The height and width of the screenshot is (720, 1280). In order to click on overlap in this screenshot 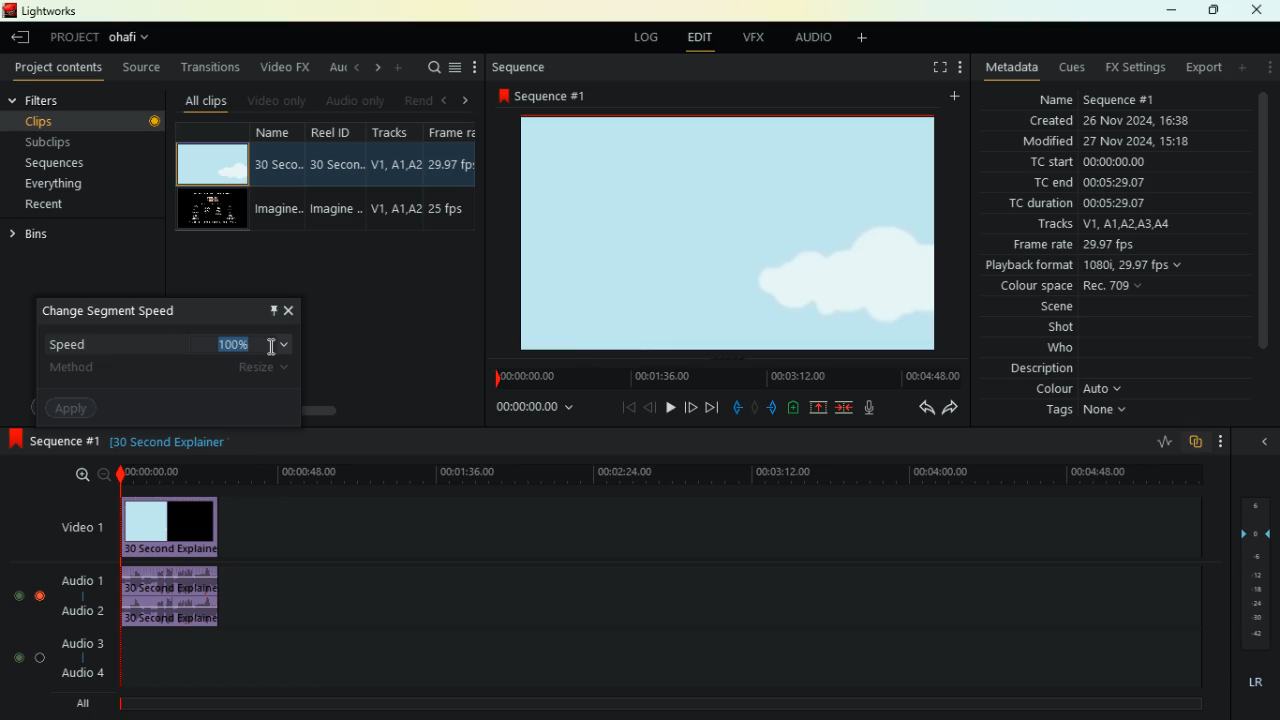, I will do `click(1194, 442)`.